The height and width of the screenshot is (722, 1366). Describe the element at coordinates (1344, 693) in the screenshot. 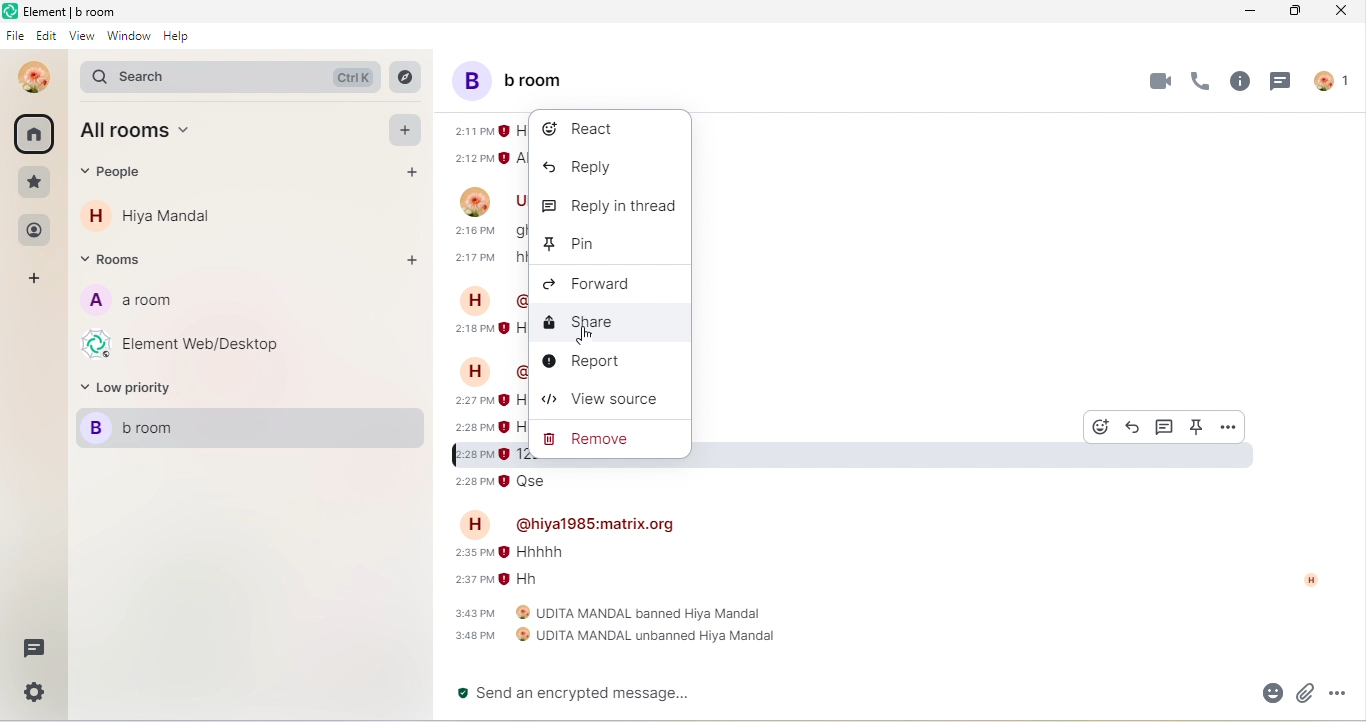

I see `option` at that location.